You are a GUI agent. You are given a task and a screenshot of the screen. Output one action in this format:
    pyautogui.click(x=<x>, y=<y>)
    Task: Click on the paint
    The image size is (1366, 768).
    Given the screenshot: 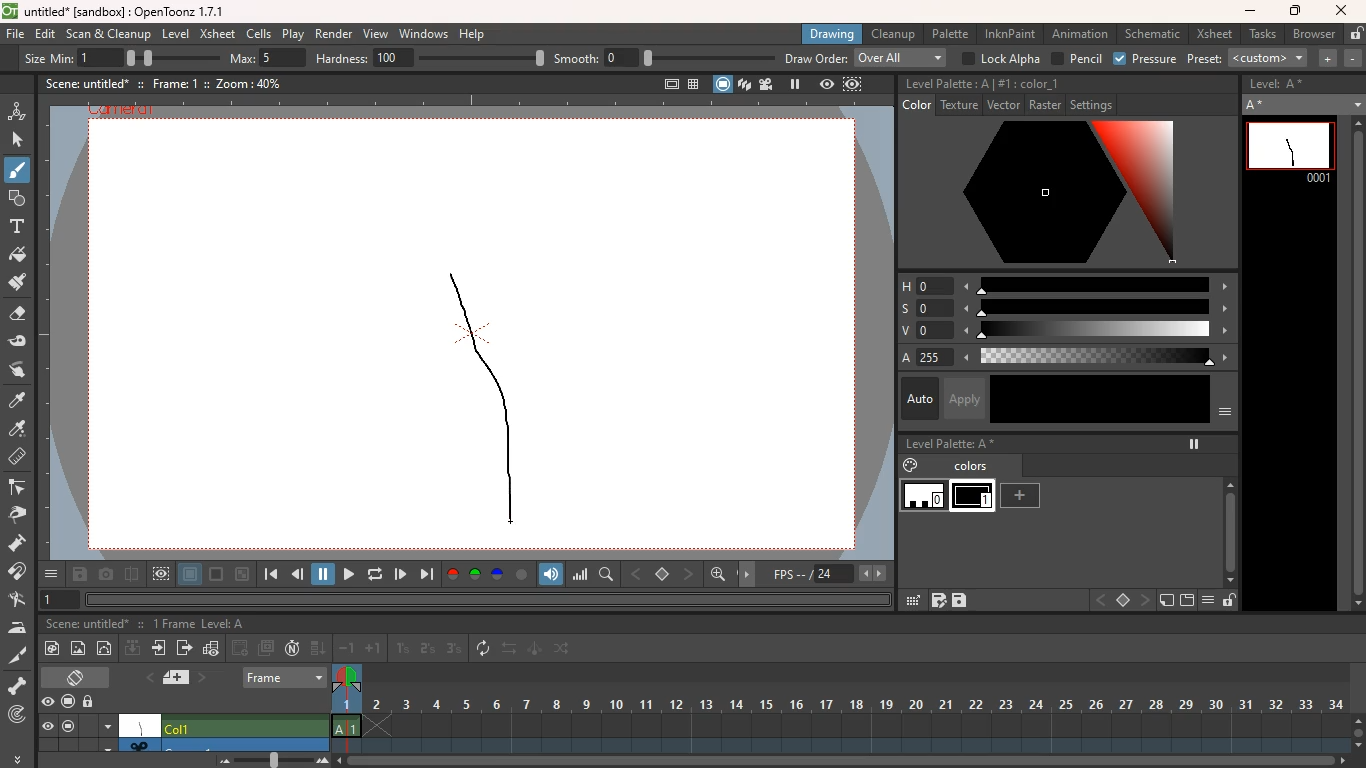 What is the action you would take?
    pyautogui.click(x=20, y=257)
    